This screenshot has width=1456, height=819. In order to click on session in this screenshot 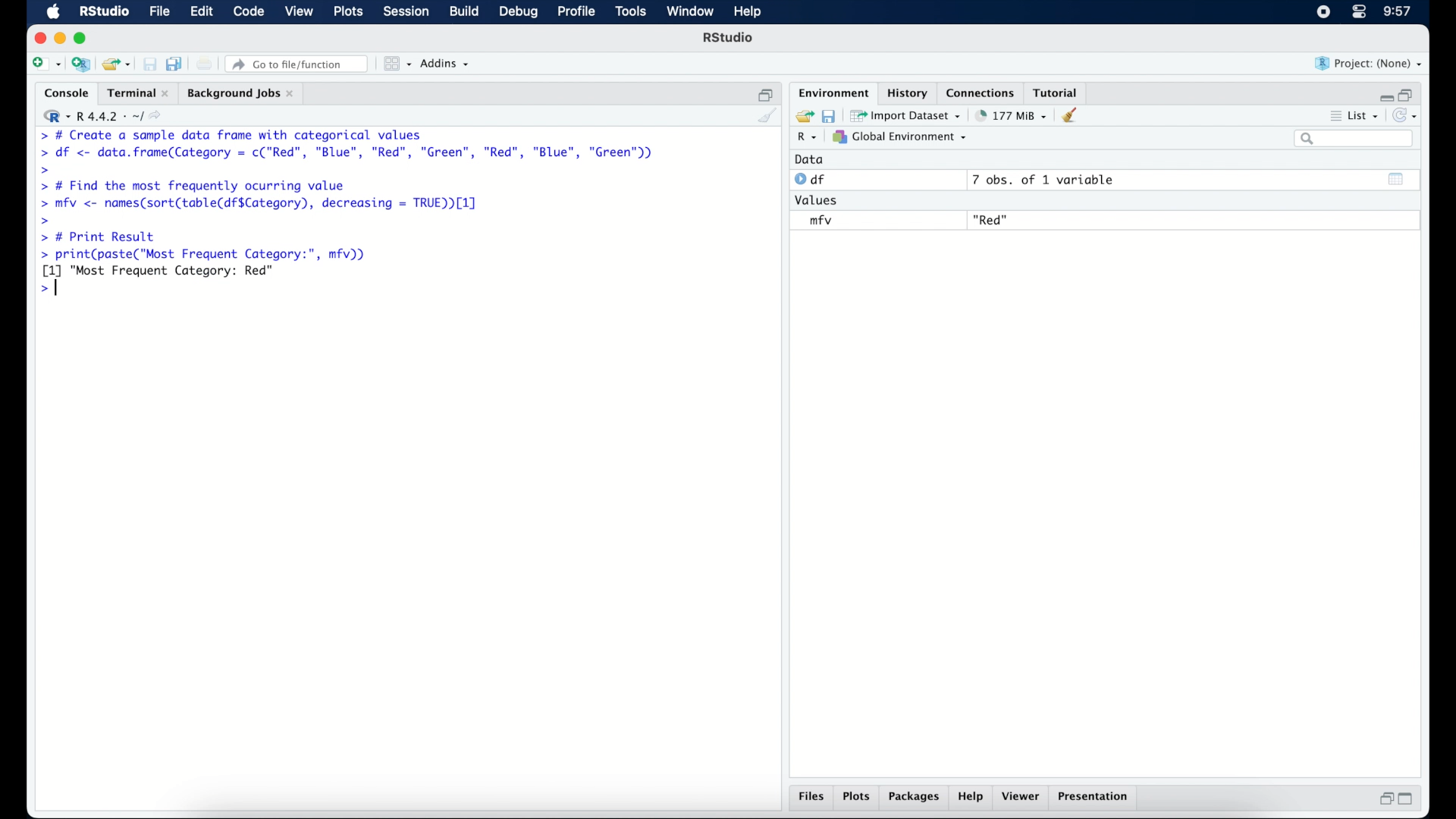, I will do `click(406, 12)`.